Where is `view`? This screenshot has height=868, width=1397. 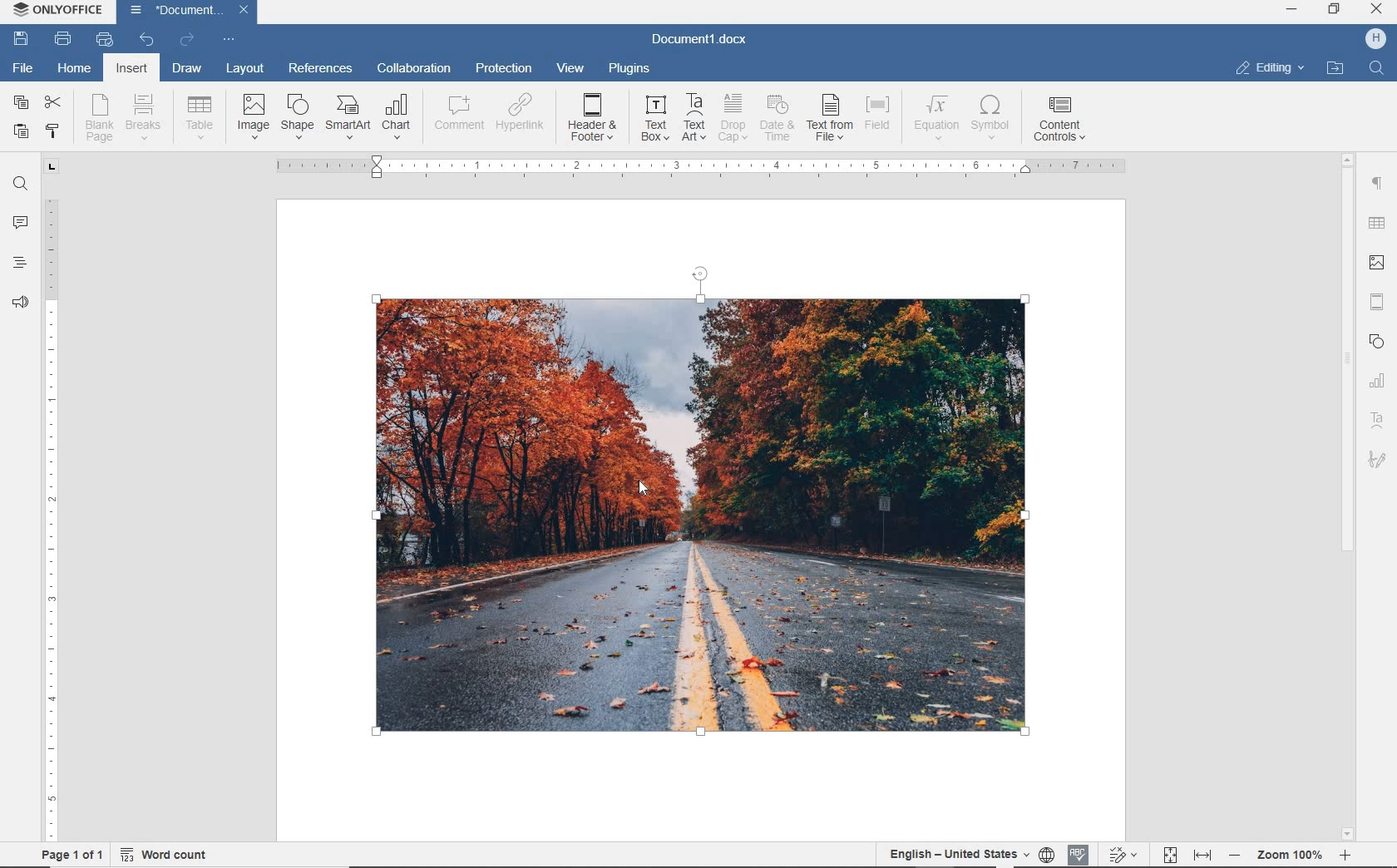
view is located at coordinates (571, 70).